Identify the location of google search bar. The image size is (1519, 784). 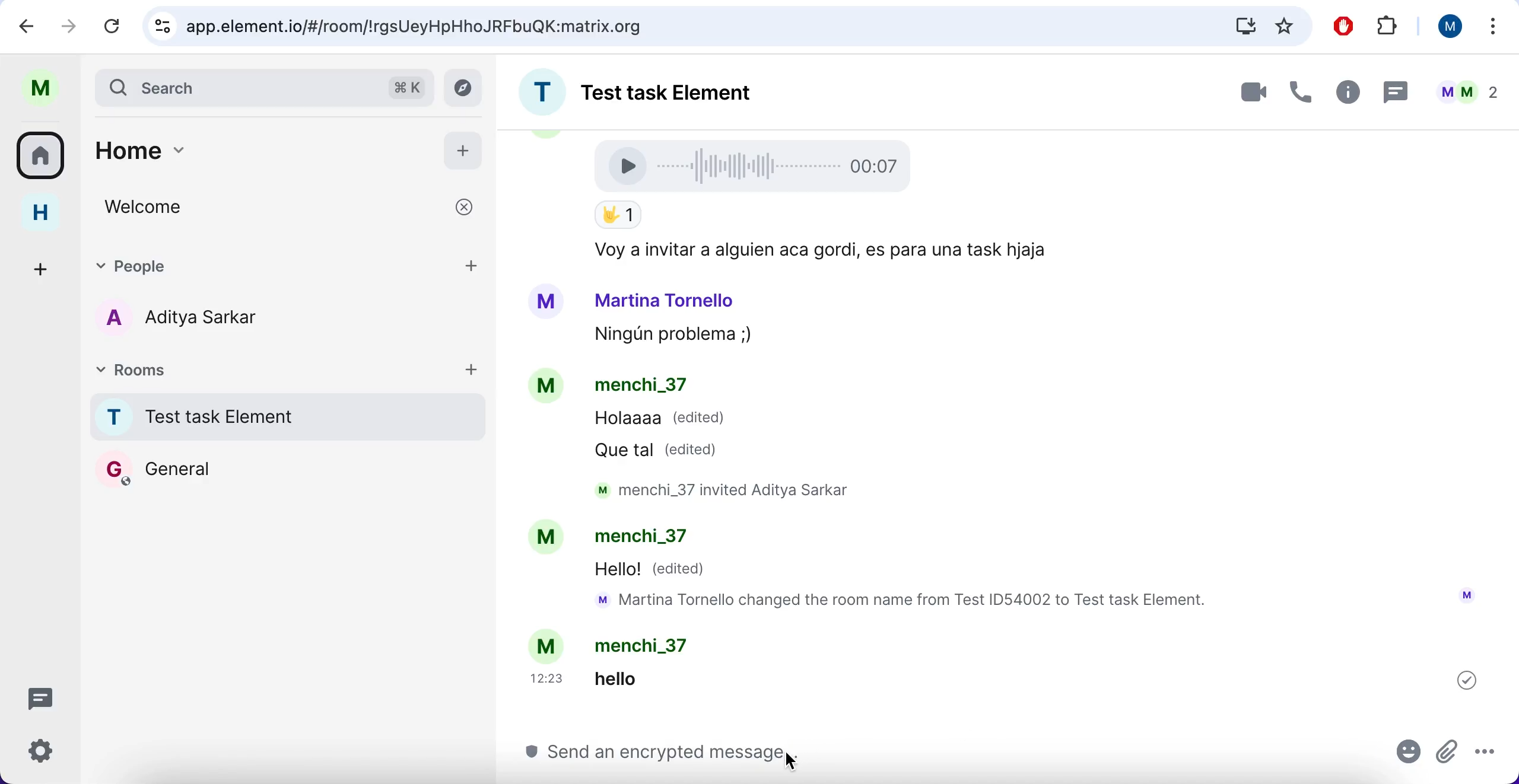
(670, 26).